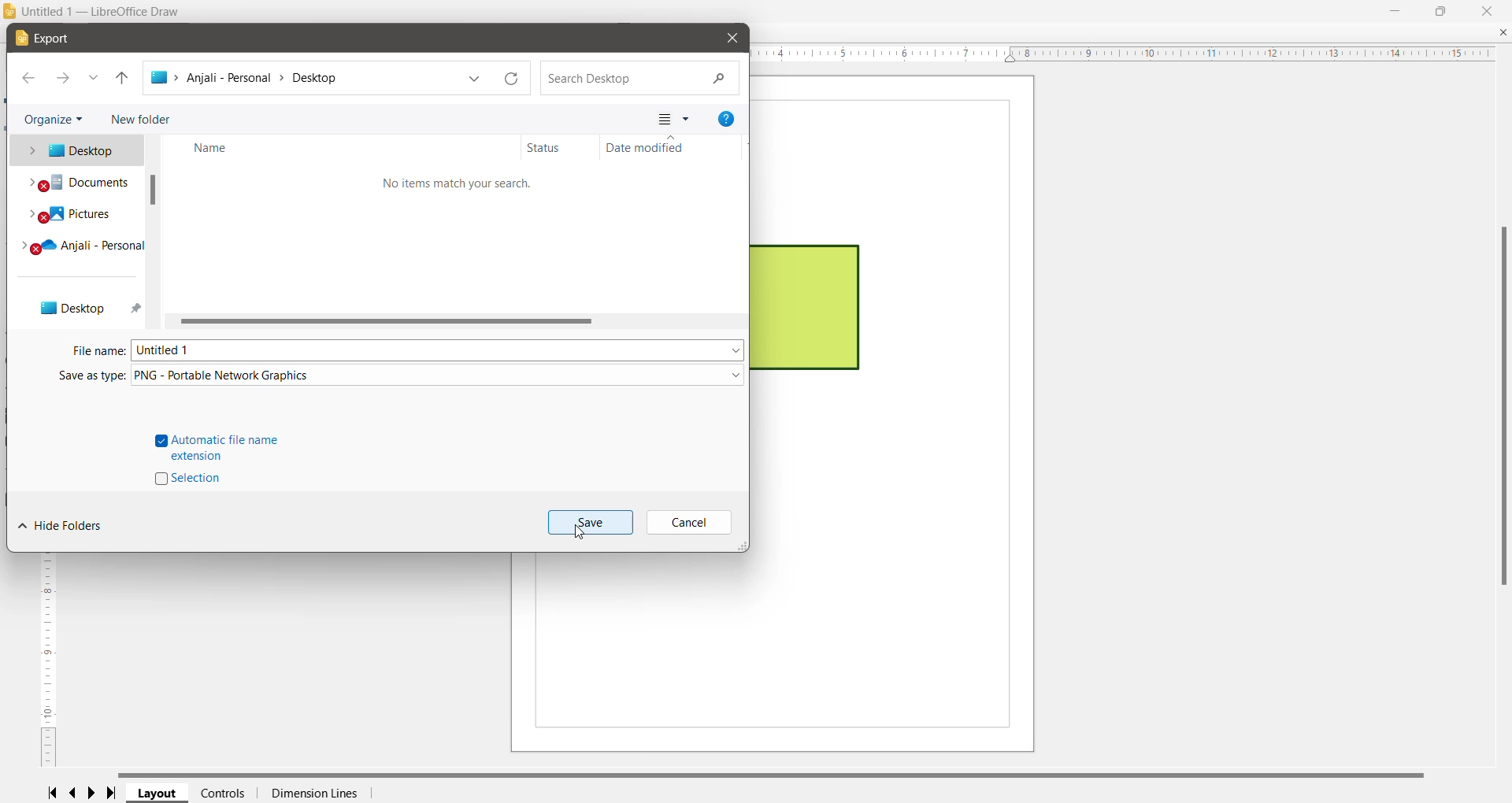 Image resolution: width=1512 pixels, height=803 pixels. I want to click on Date modified, so click(674, 147).